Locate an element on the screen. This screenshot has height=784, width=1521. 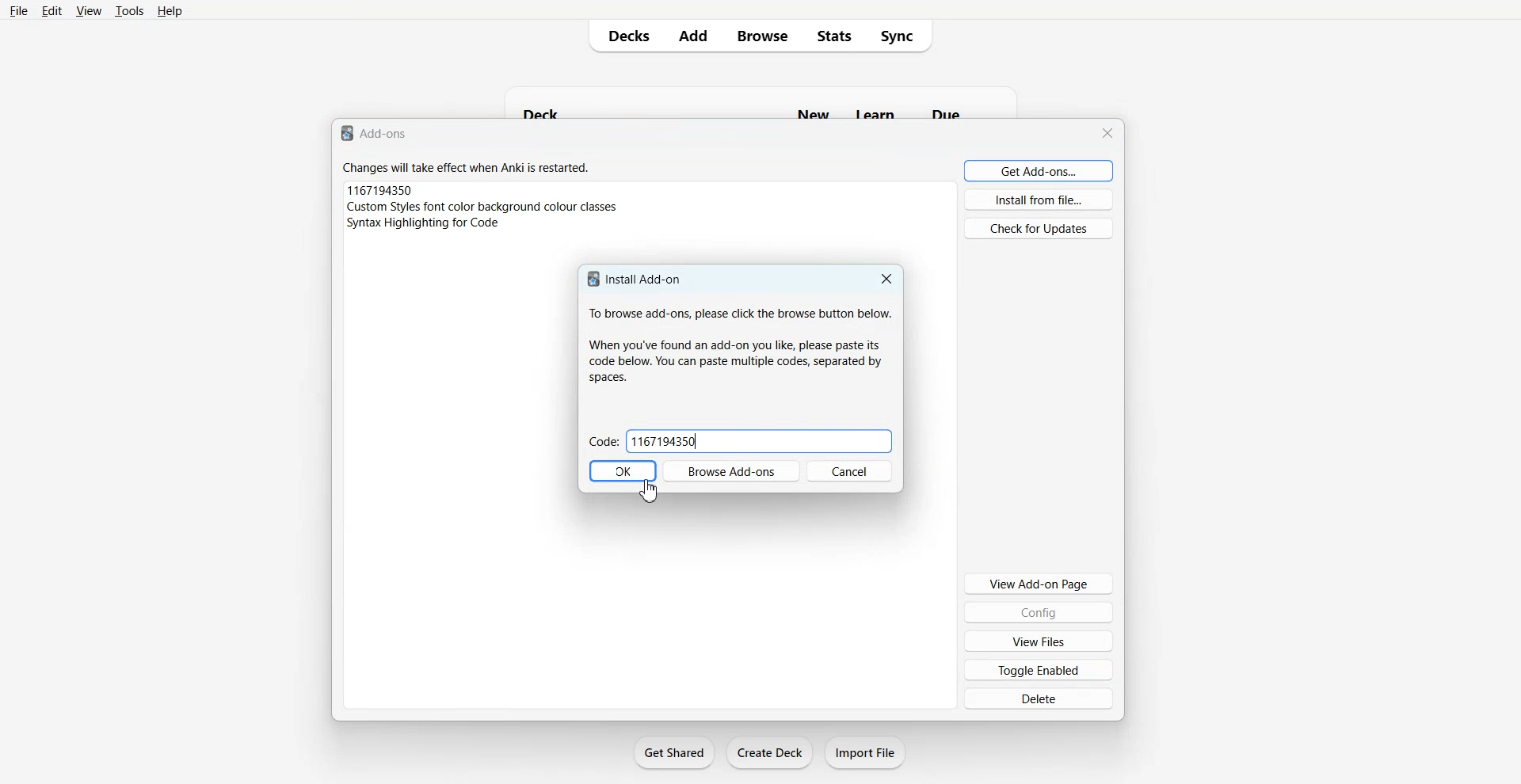
BY Install Add-on is located at coordinates (635, 279).